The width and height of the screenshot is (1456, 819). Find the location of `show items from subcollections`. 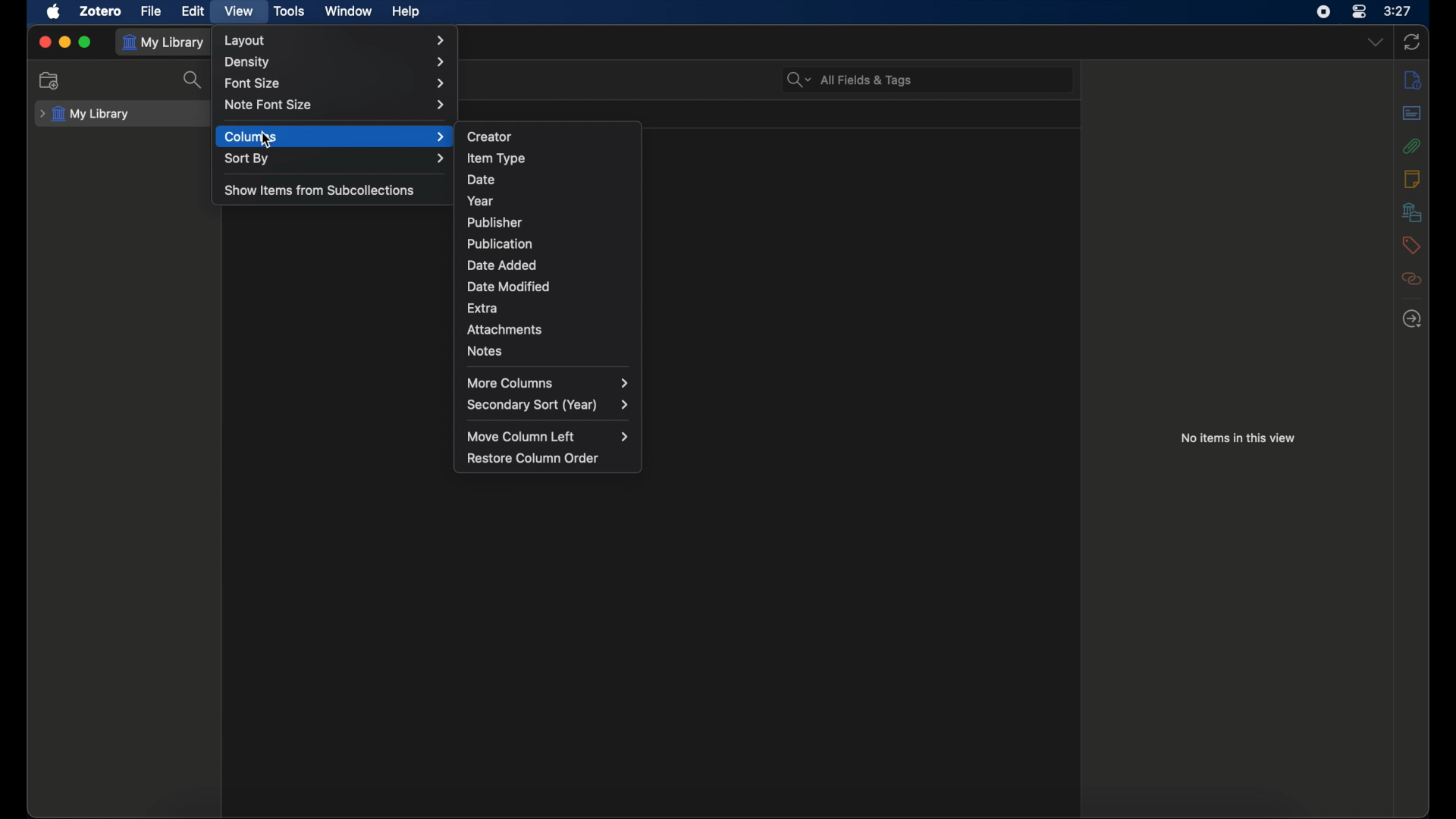

show items from subcollections is located at coordinates (320, 190).